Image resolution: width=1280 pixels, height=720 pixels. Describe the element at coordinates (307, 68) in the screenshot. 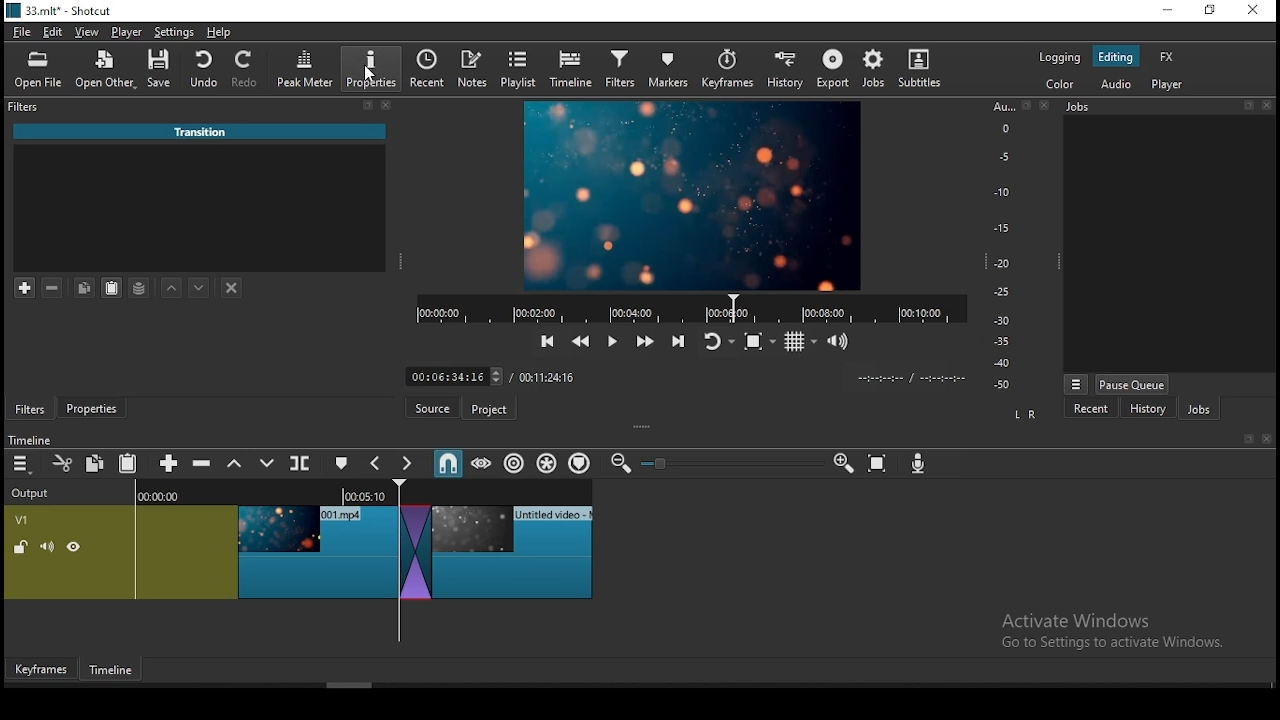

I see `peak meter` at that location.